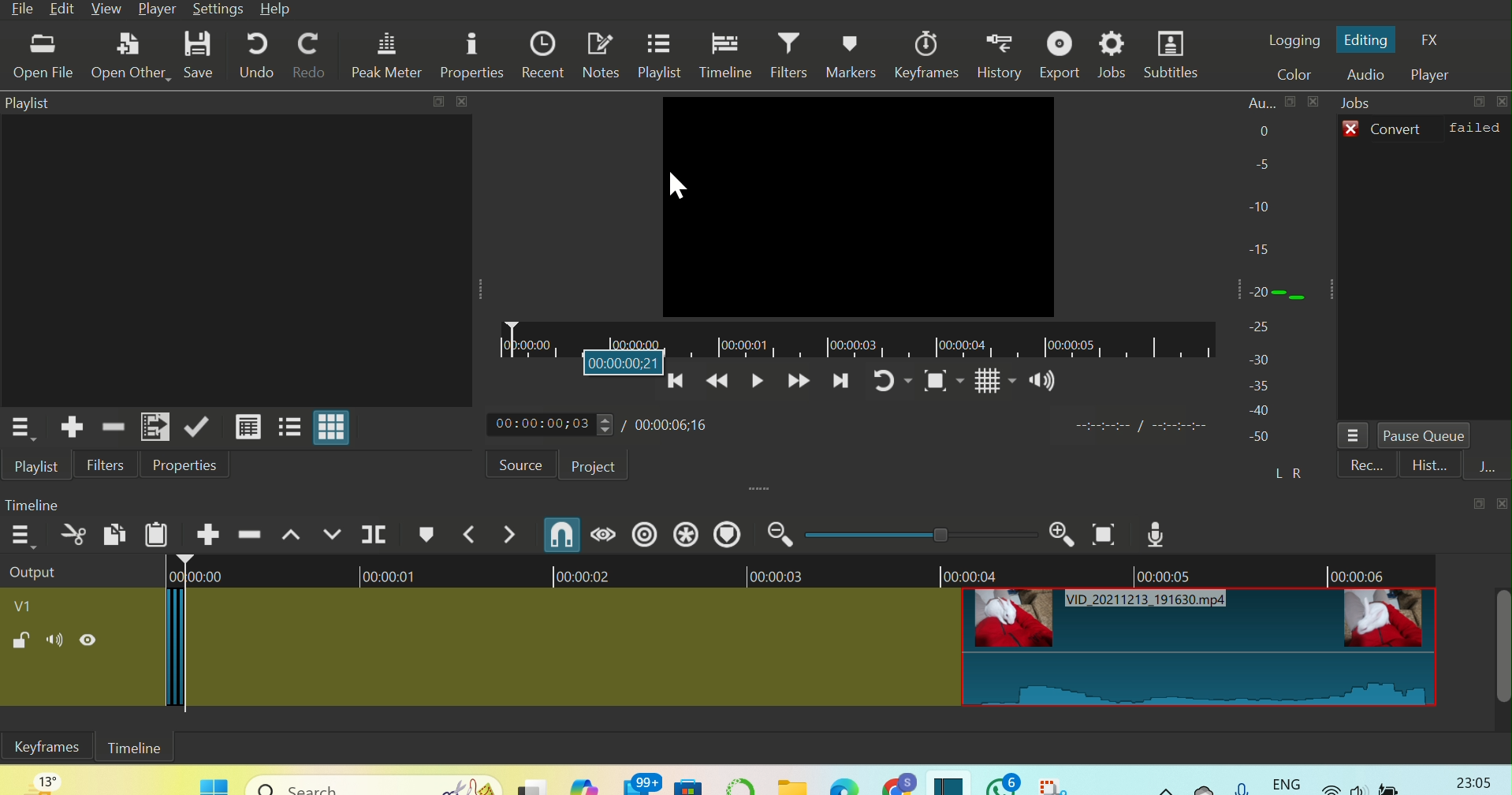  I want to click on Down, so click(331, 535).